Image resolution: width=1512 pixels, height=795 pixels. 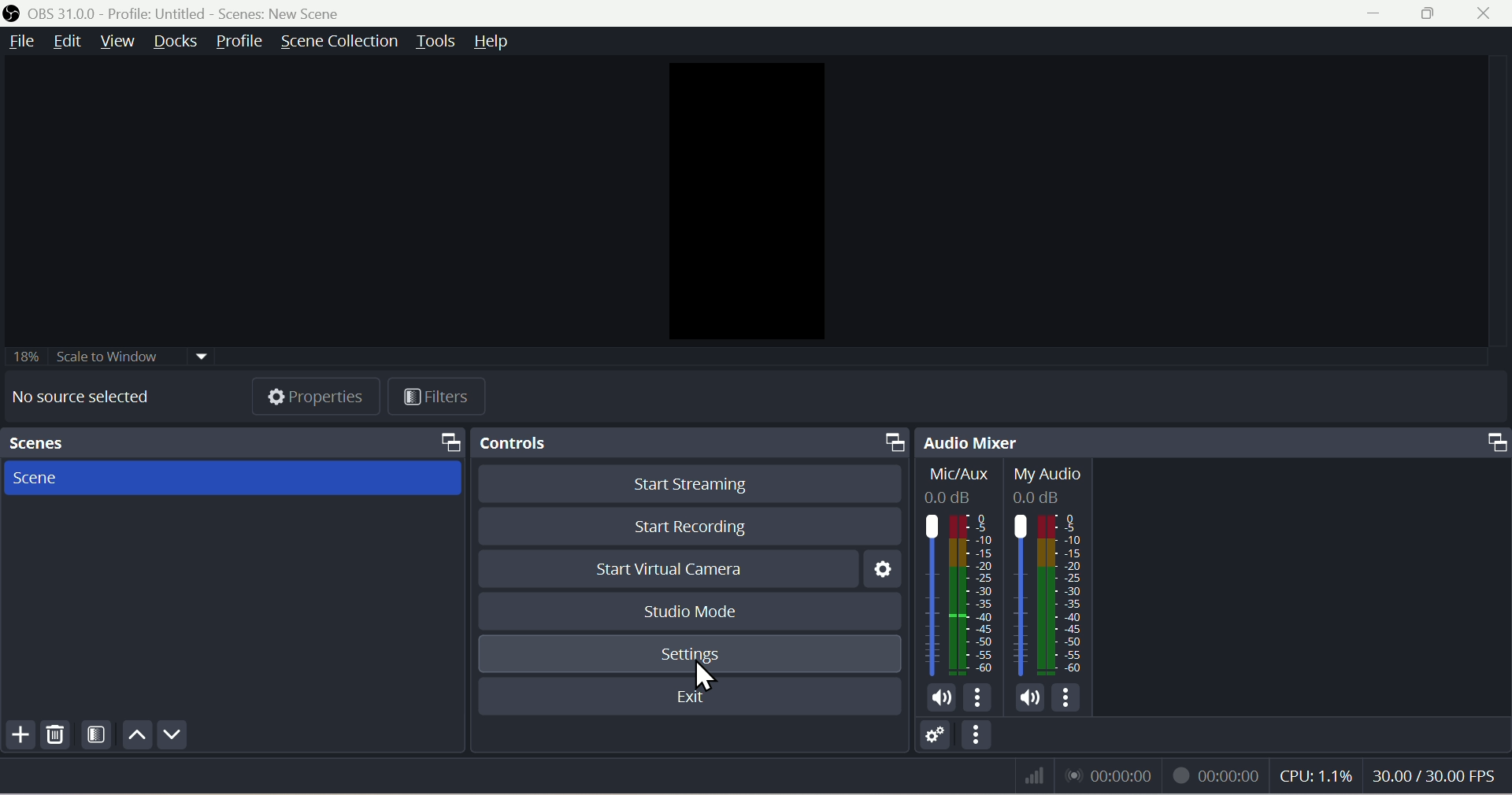 What do you see at coordinates (1218, 775) in the screenshot?
I see `Video Recording` at bounding box center [1218, 775].